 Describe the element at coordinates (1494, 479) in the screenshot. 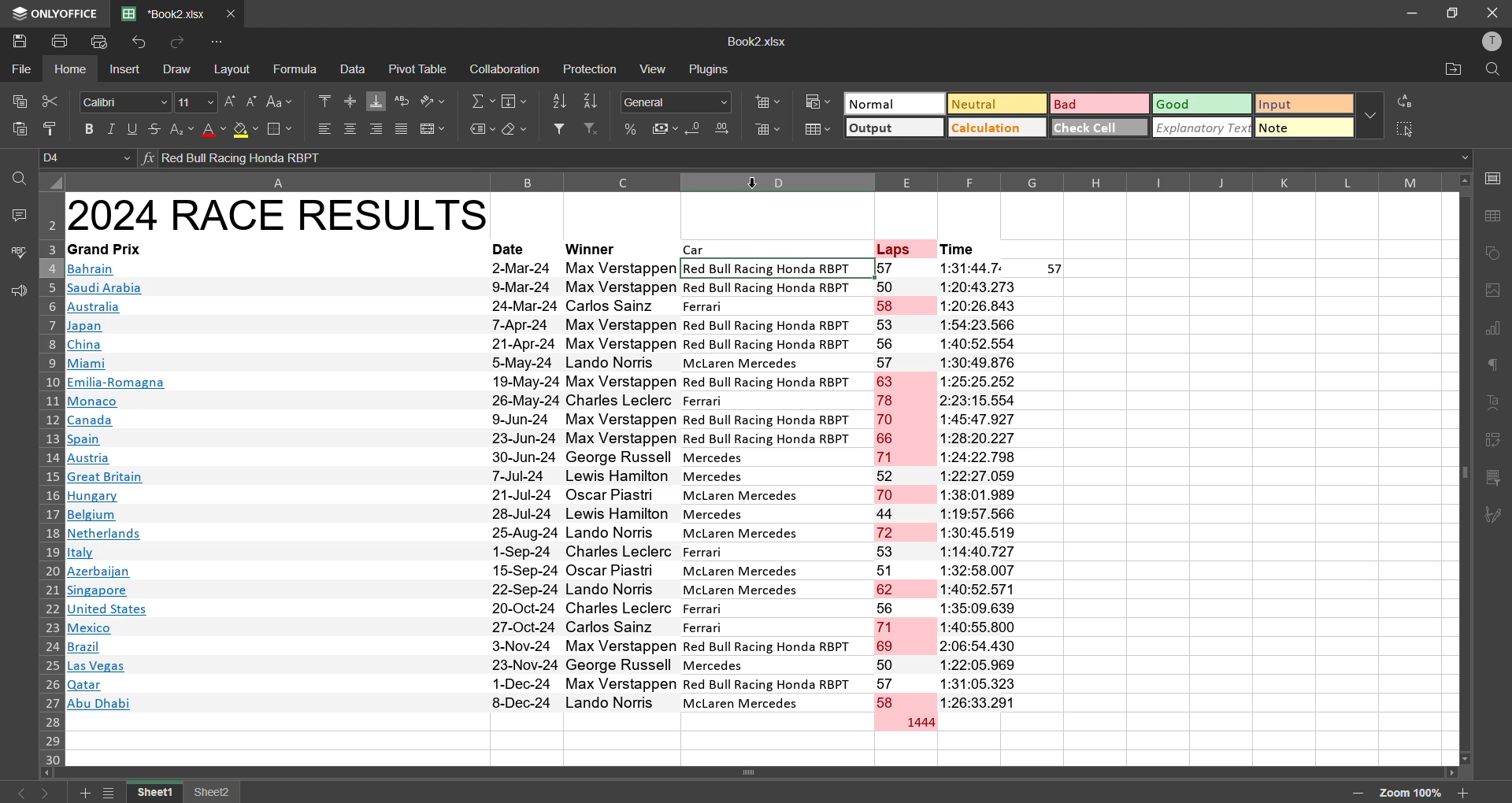

I see `slicer` at that location.